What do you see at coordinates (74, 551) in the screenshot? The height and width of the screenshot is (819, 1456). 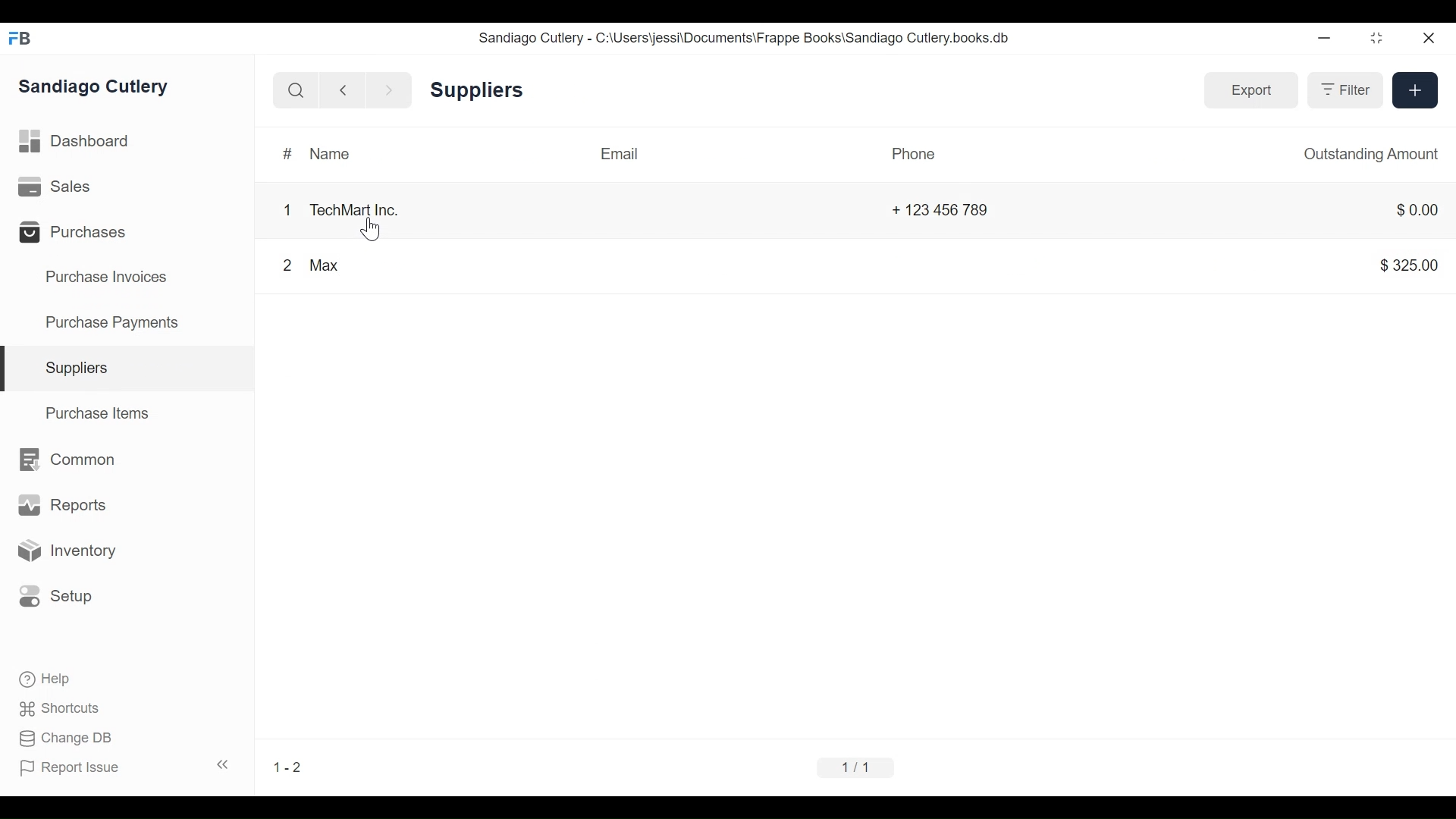 I see `Inventory` at bounding box center [74, 551].